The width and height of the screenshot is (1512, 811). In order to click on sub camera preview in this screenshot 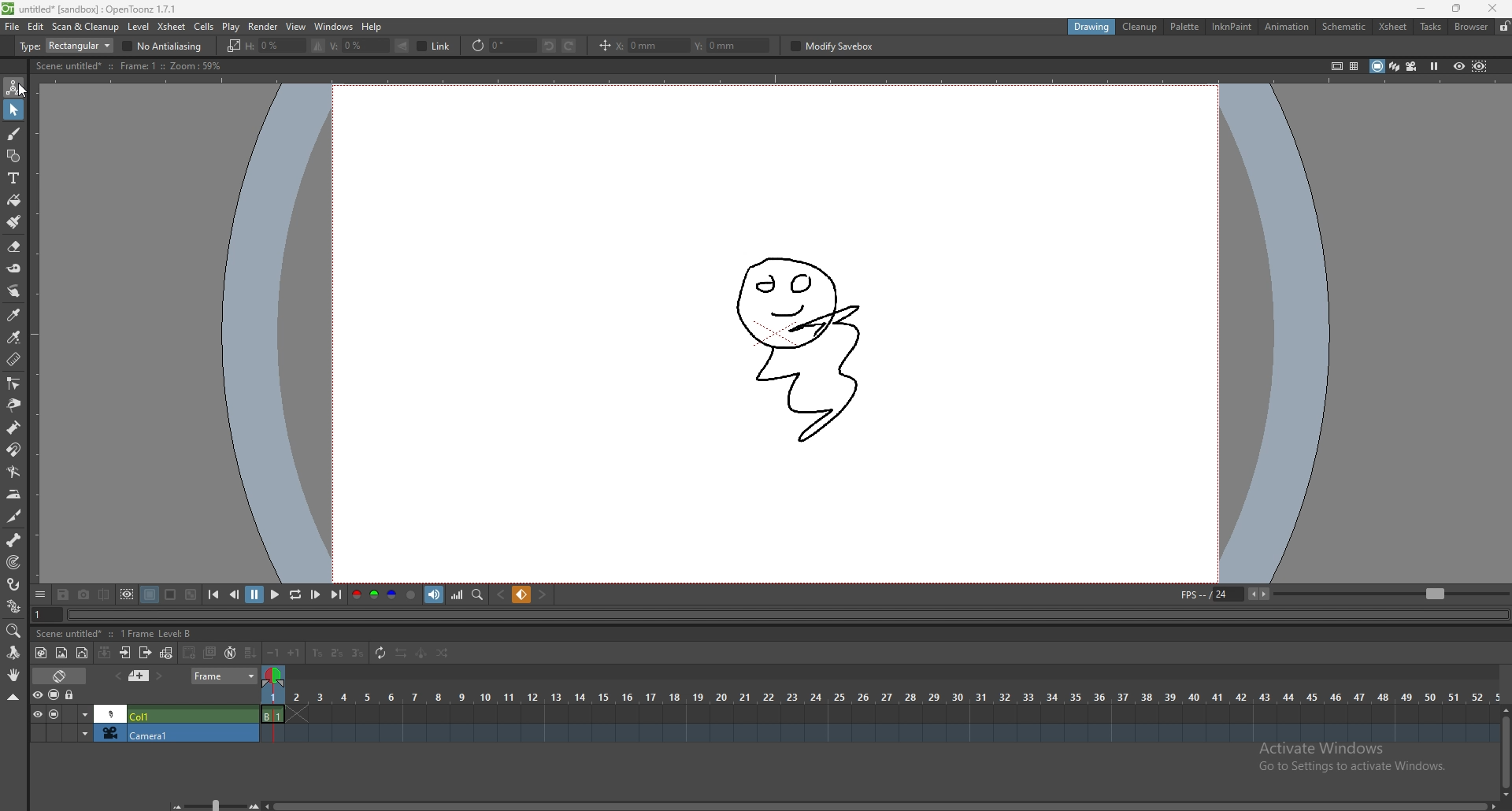, I will do `click(1480, 67)`.